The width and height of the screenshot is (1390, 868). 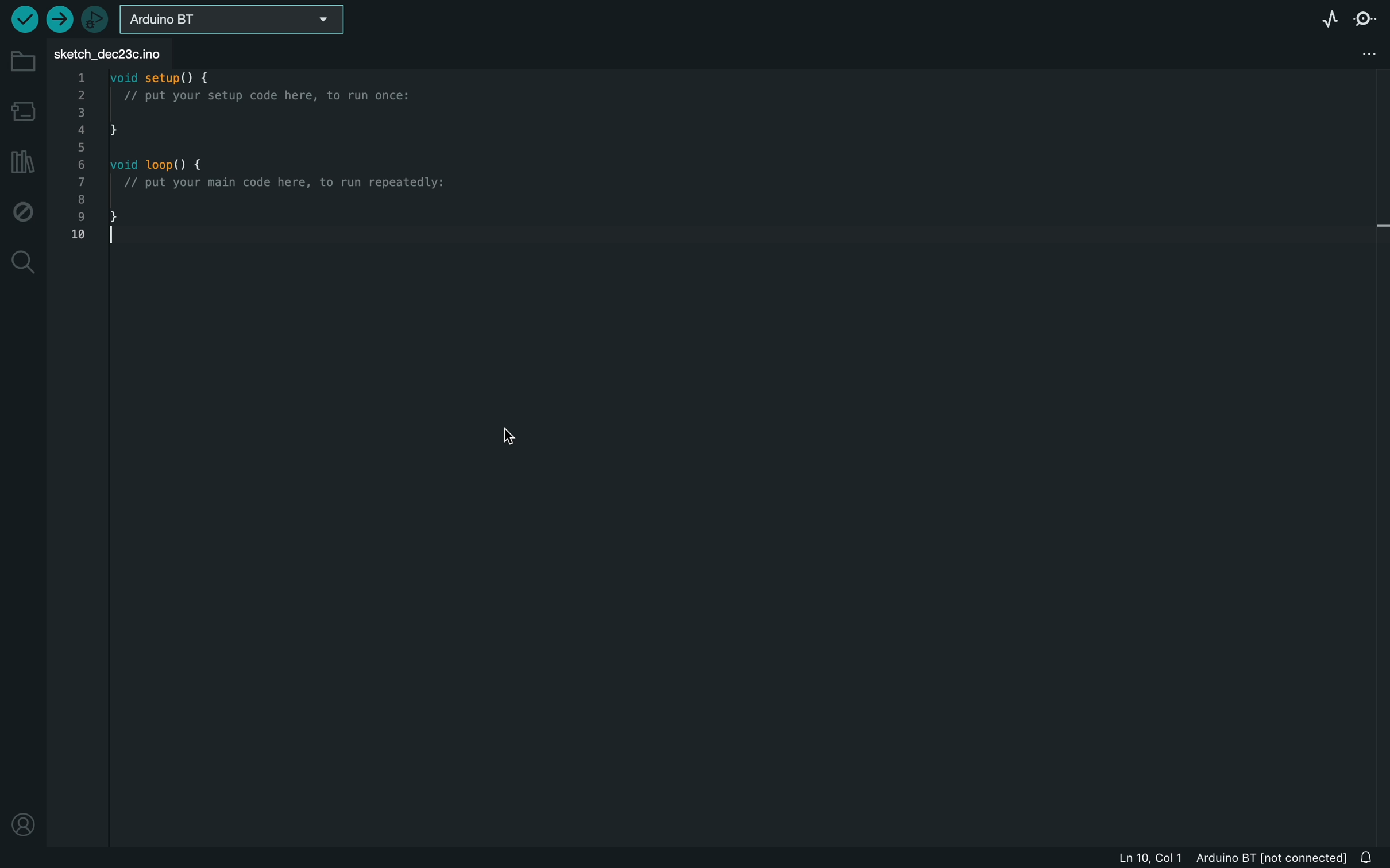 I want to click on code, so click(x=248, y=162).